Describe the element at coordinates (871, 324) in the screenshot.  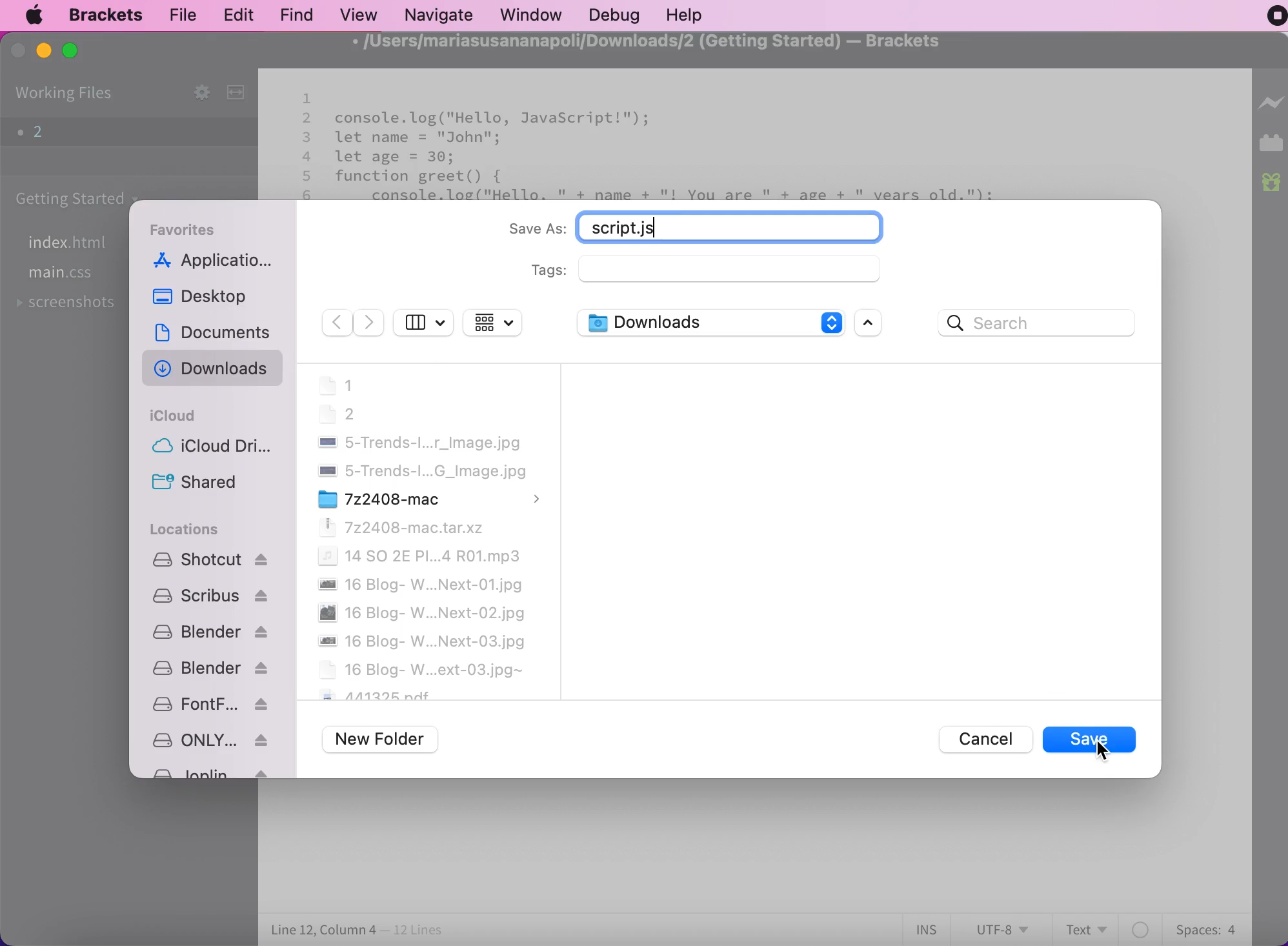
I see `scroll bar` at that location.